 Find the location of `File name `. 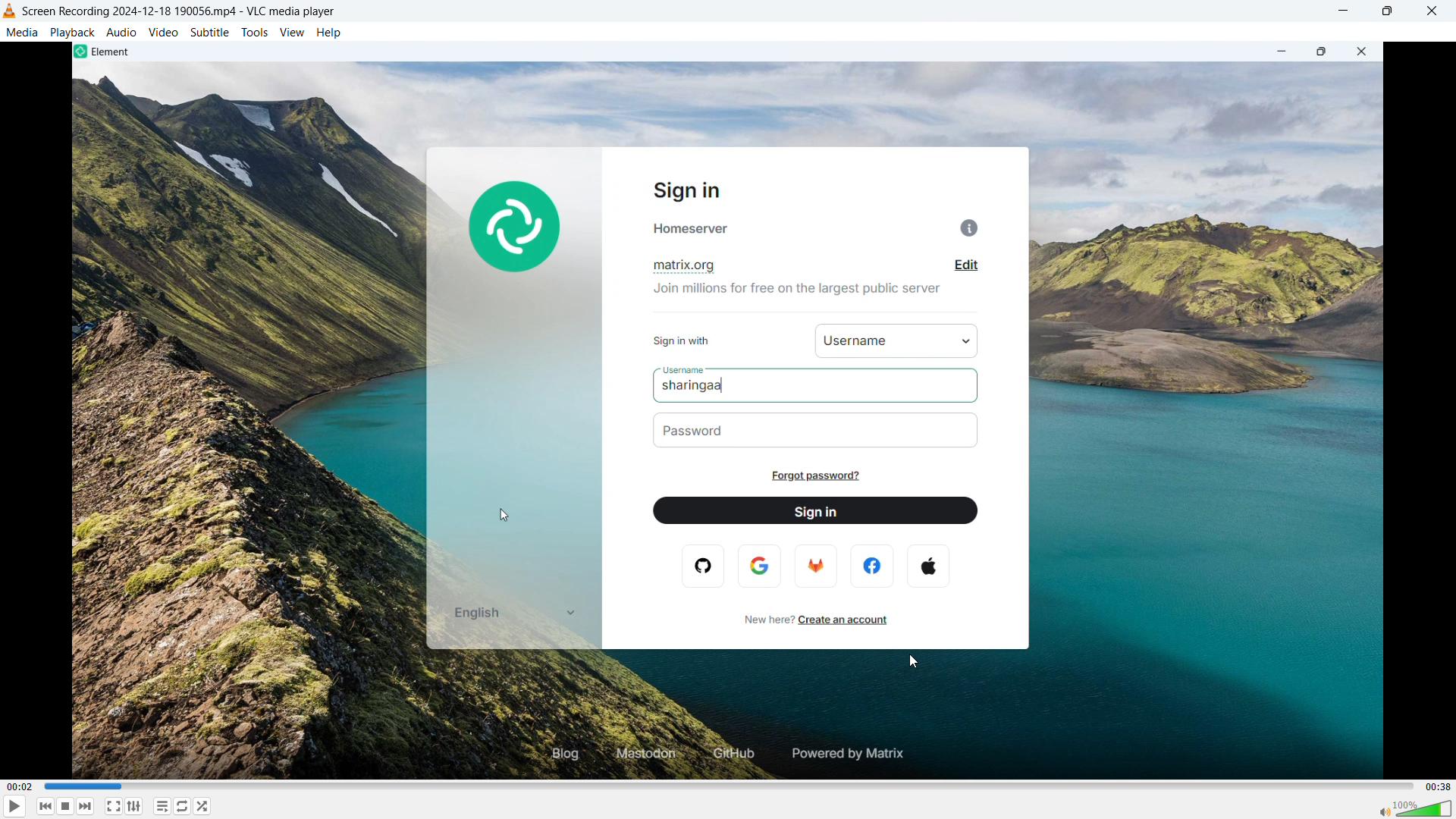

File name  is located at coordinates (180, 11).